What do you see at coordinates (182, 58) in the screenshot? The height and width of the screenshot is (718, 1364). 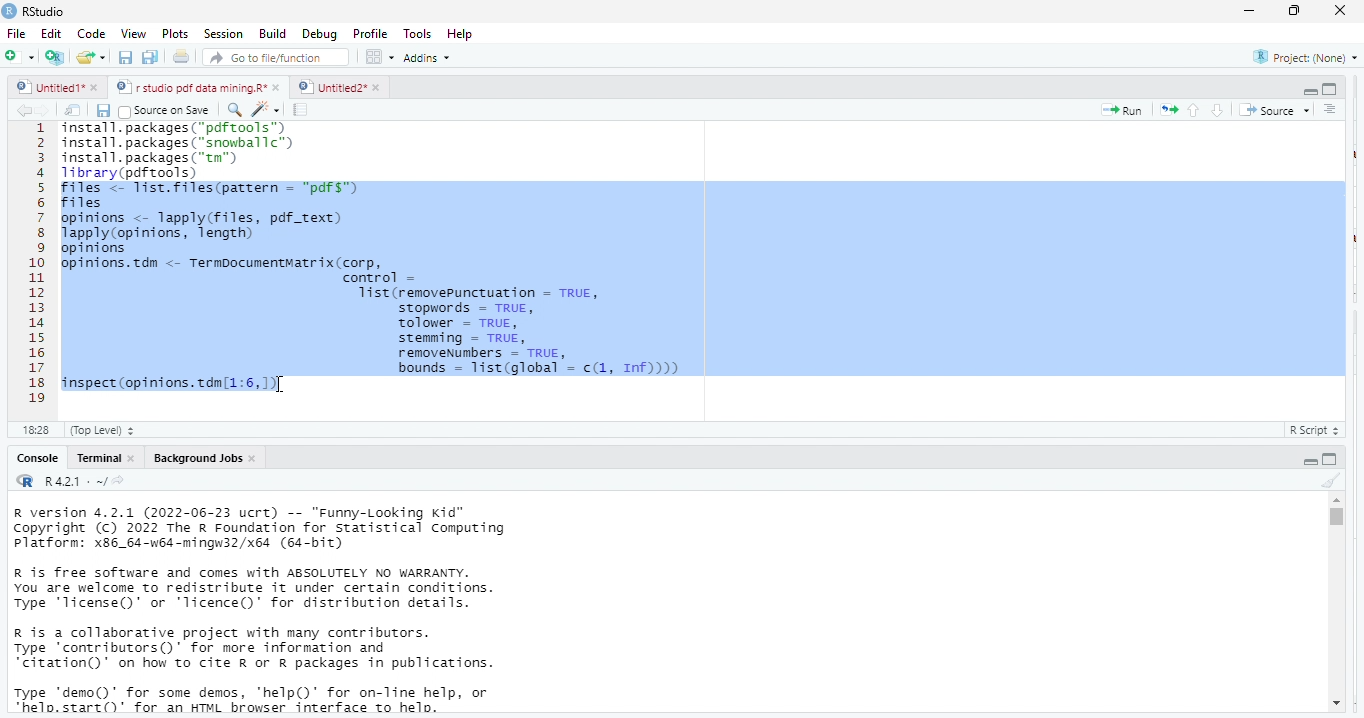 I see `print the current file` at bounding box center [182, 58].